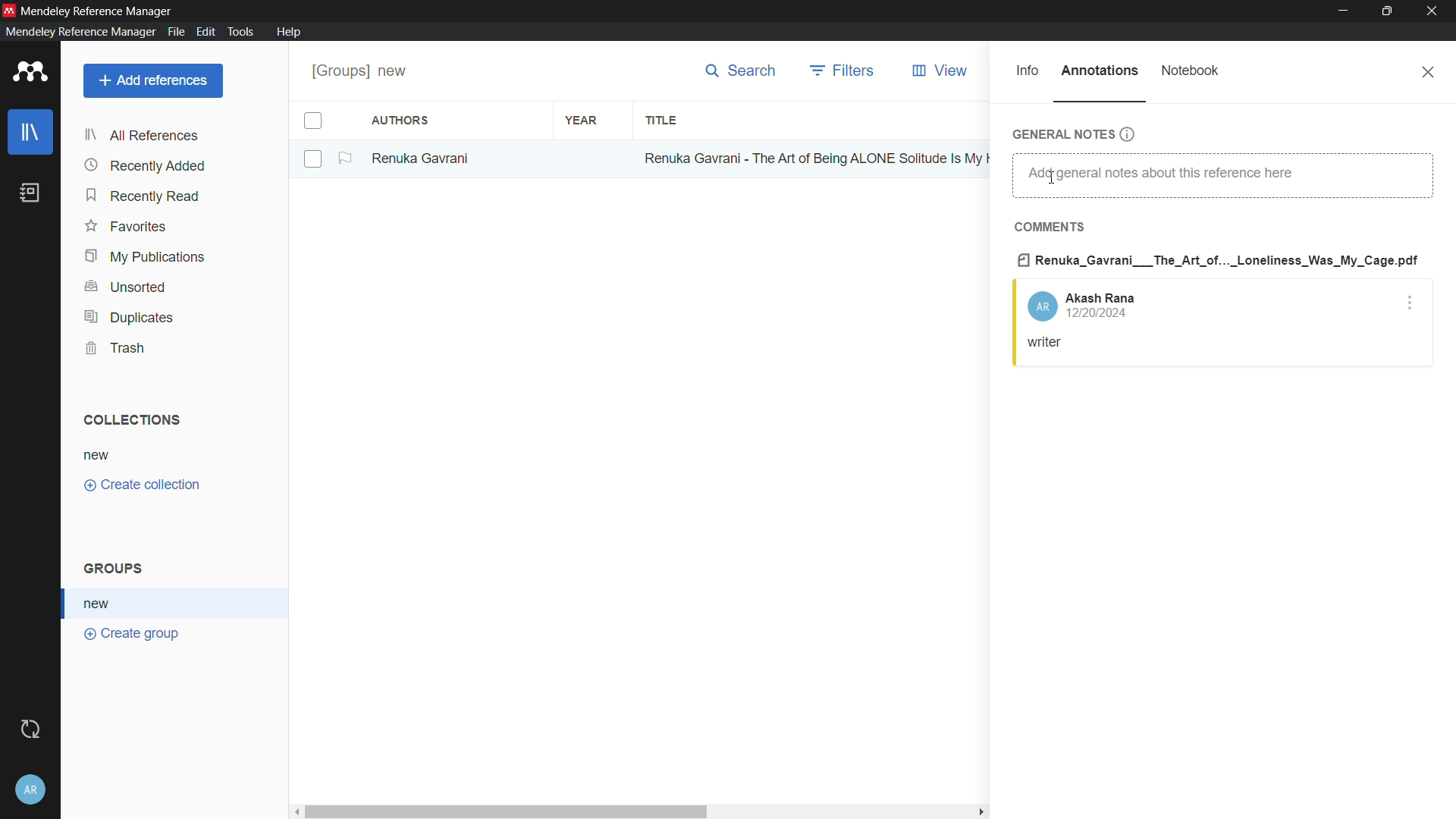 This screenshot has height=819, width=1456. Describe the element at coordinates (290, 32) in the screenshot. I see `help` at that location.